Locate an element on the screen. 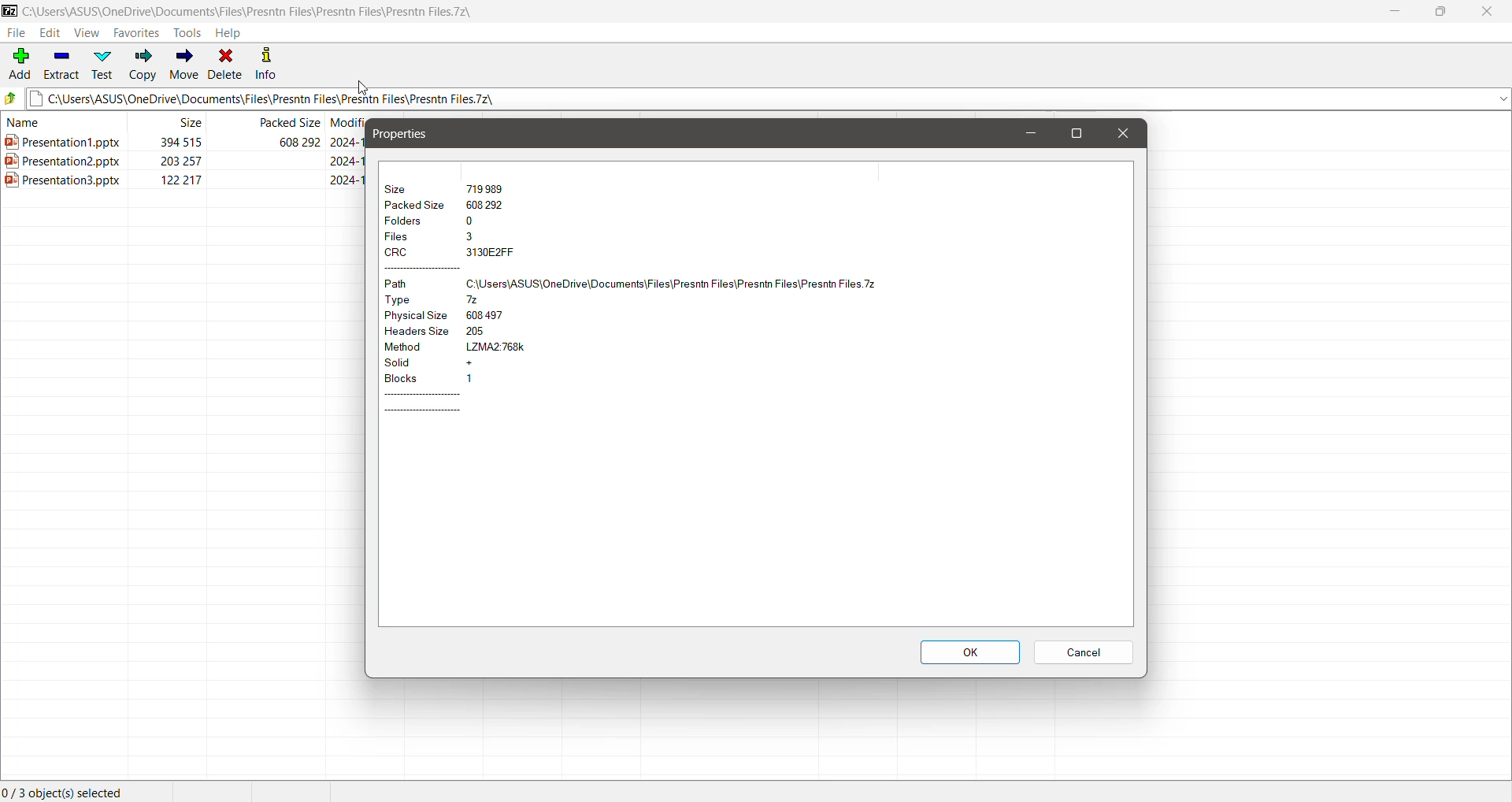  name is located at coordinates (32, 125).